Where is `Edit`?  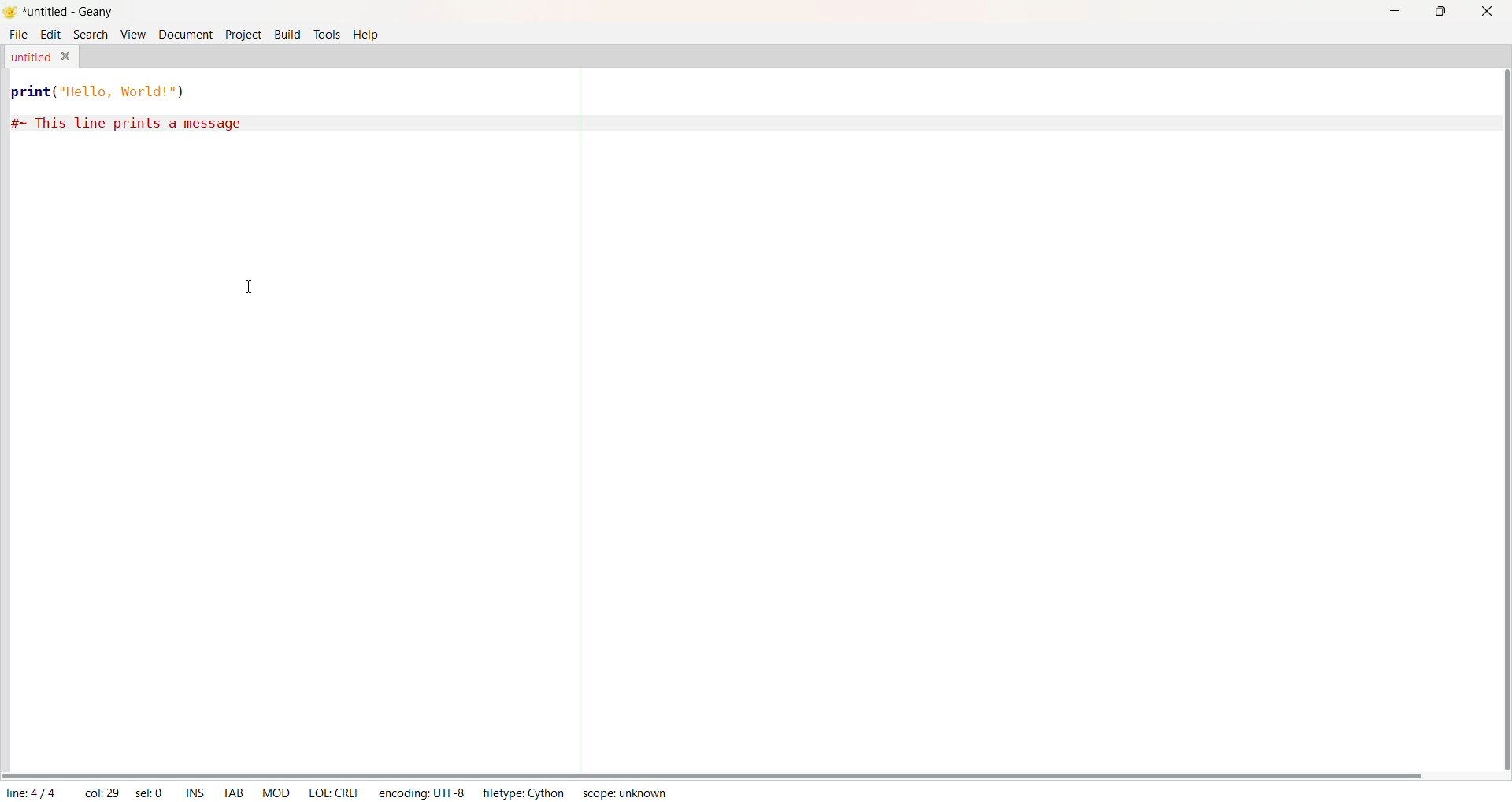
Edit is located at coordinates (49, 35).